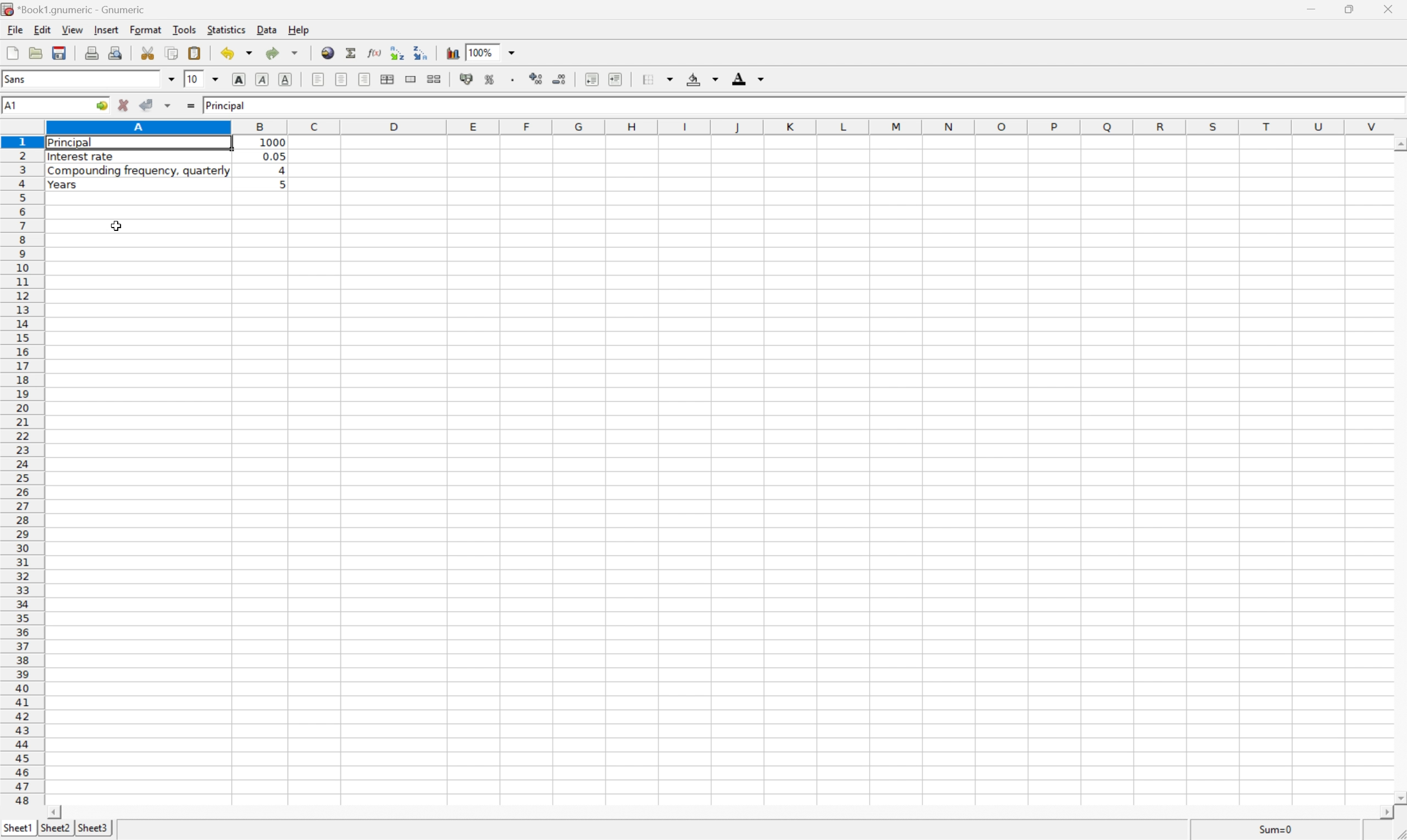 Image resolution: width=1407 pixels, height=840 pixels. I want to click on format selection as accounting, so click(467, 79).